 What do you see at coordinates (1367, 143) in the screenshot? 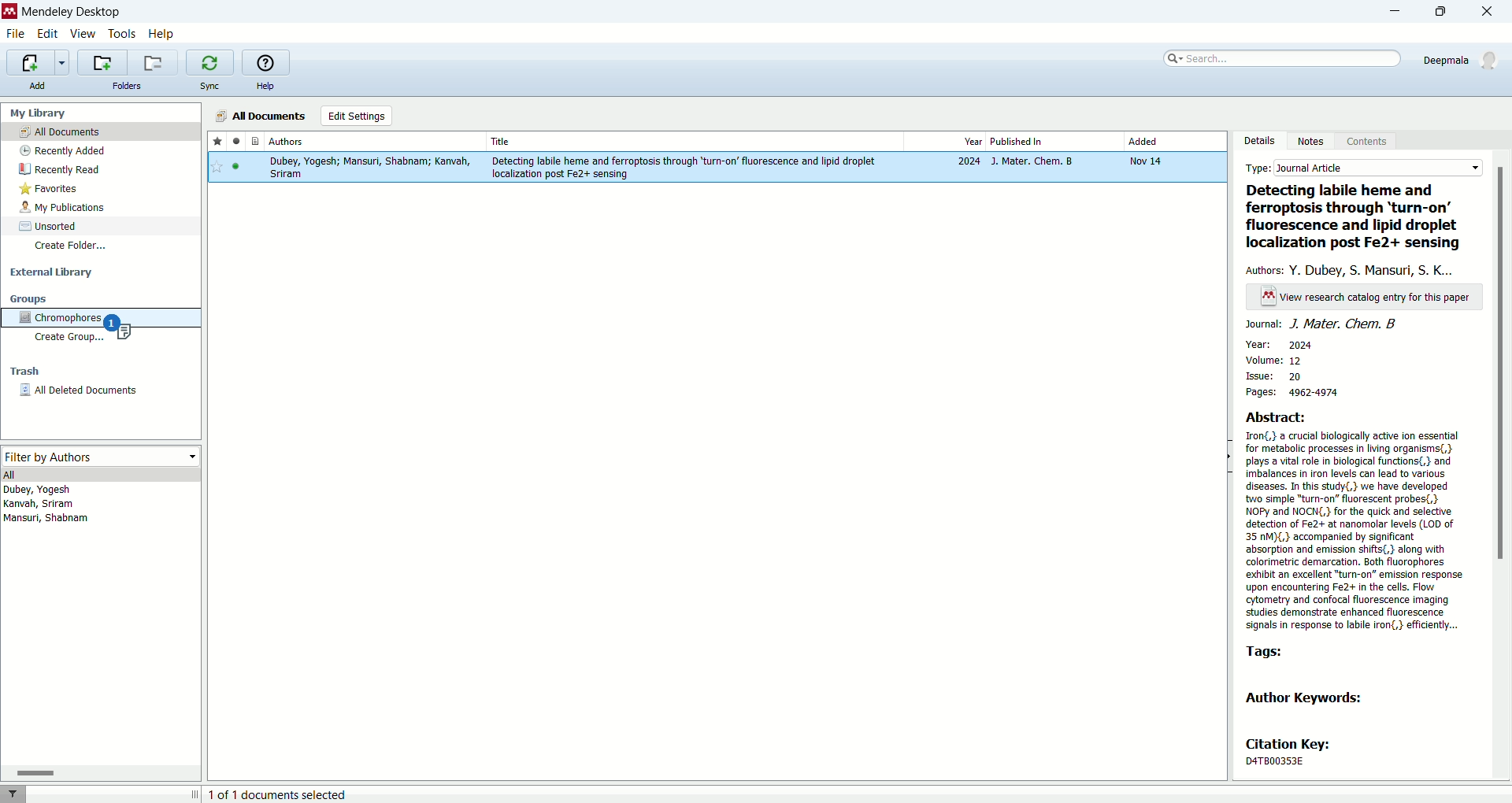
I see `content` at bounding box center [1367, 143].